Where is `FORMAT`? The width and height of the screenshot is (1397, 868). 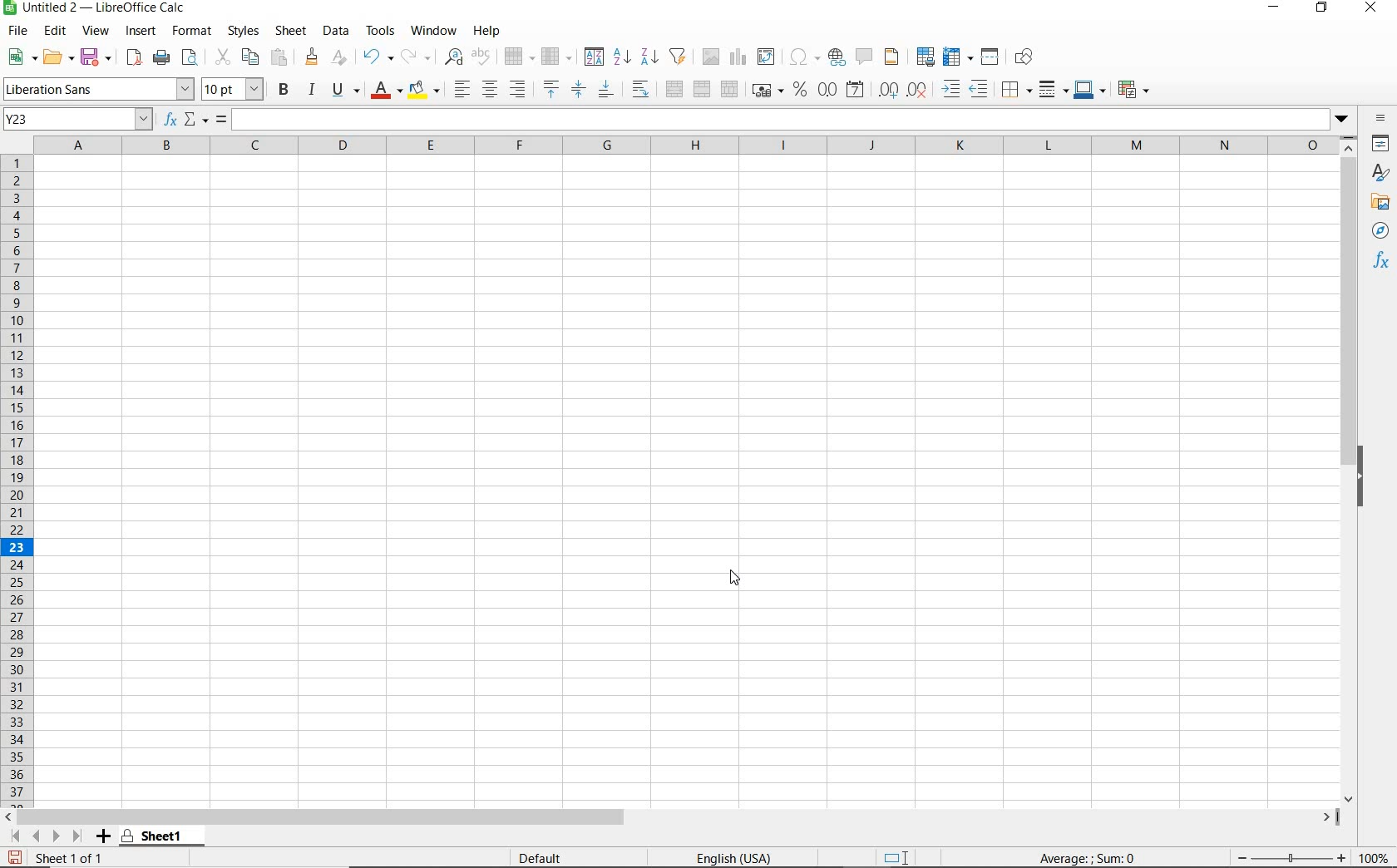
FORMAT is located at coordinates (190, 30).